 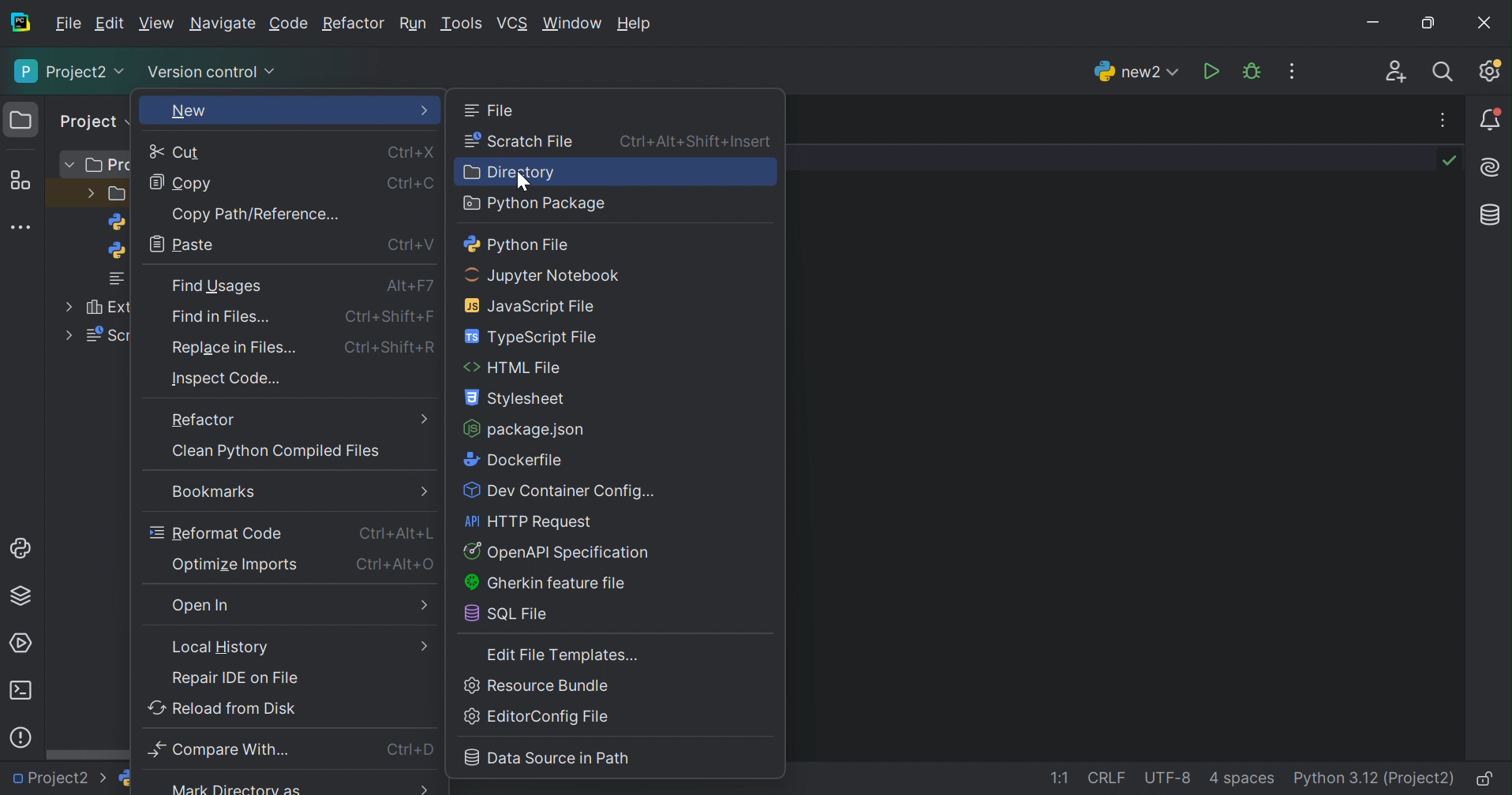 I want to click on Help, so click(x=636, y=22).